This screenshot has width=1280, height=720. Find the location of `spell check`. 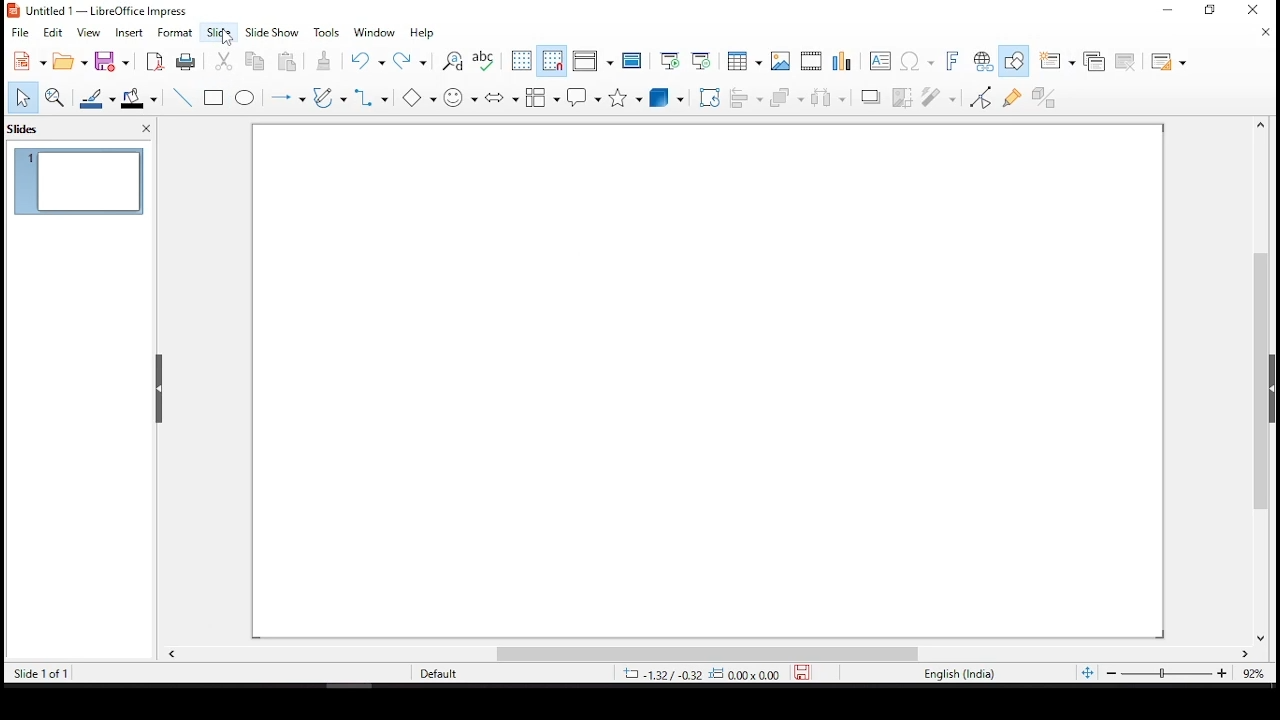

spell check is located at coordinates (488, 60).